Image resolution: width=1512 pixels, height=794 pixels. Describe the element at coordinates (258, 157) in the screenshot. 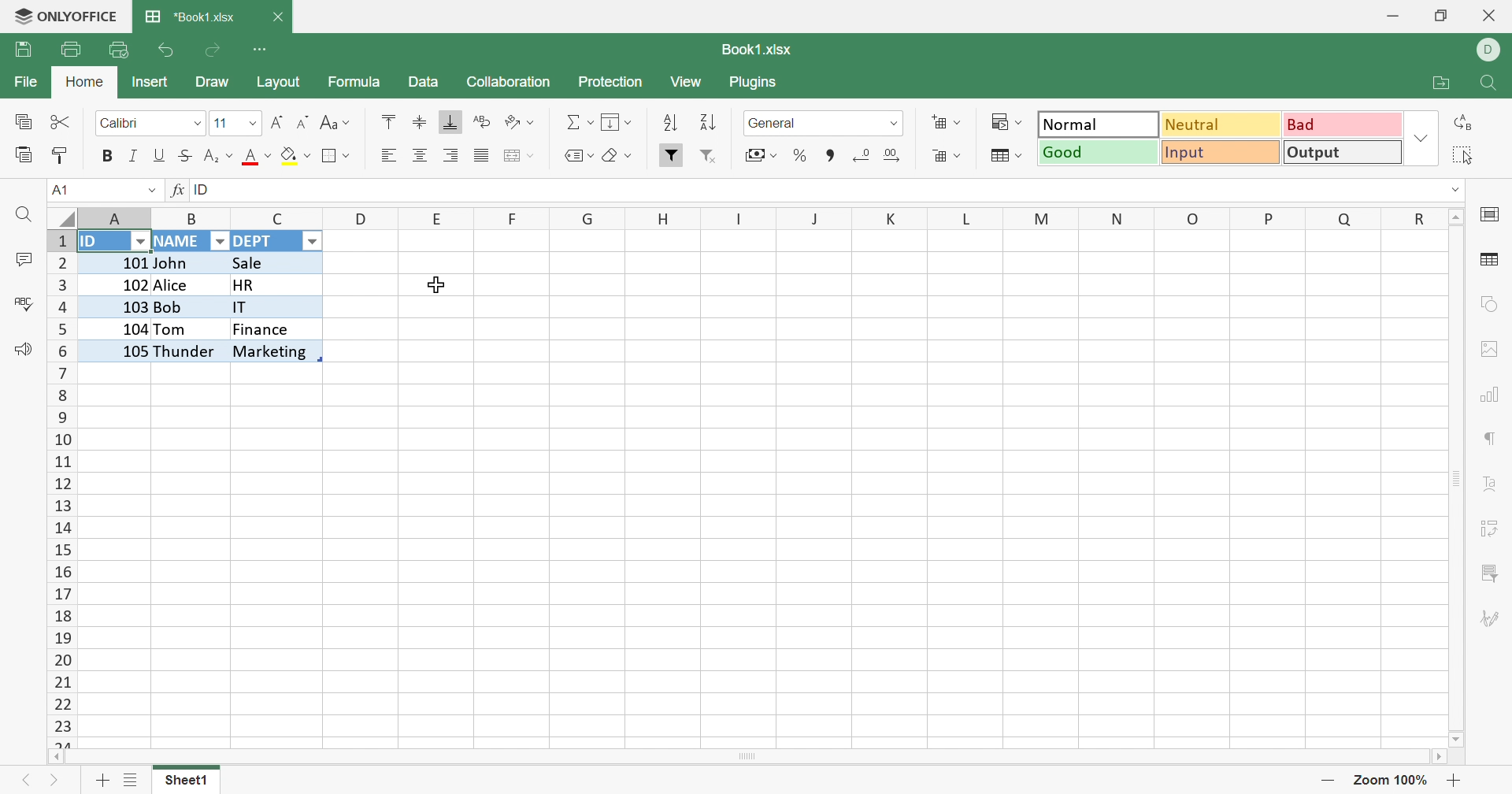

I see `Font color` at that location.